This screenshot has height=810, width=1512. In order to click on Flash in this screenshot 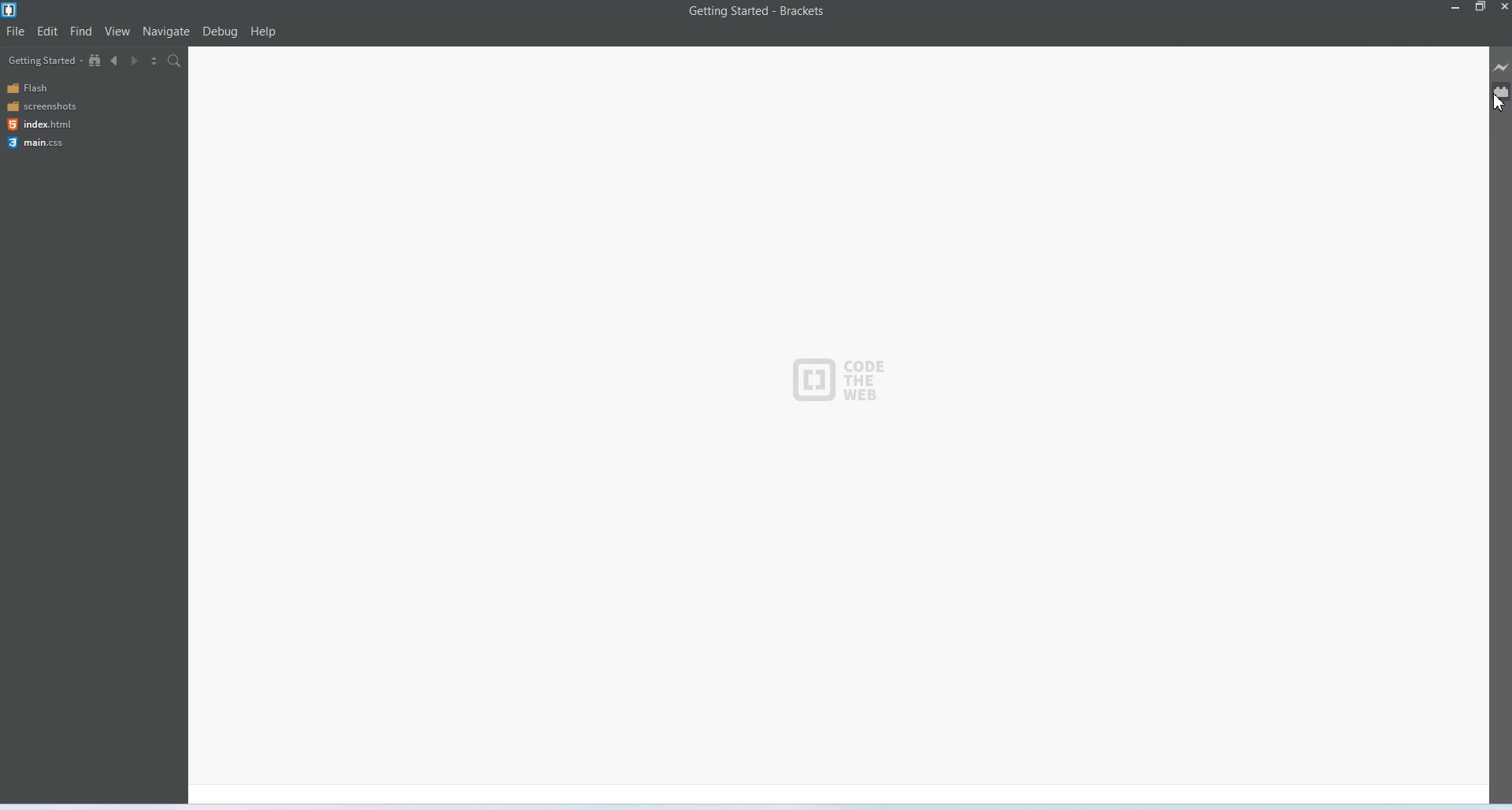, I will do `click(53, 88)`.